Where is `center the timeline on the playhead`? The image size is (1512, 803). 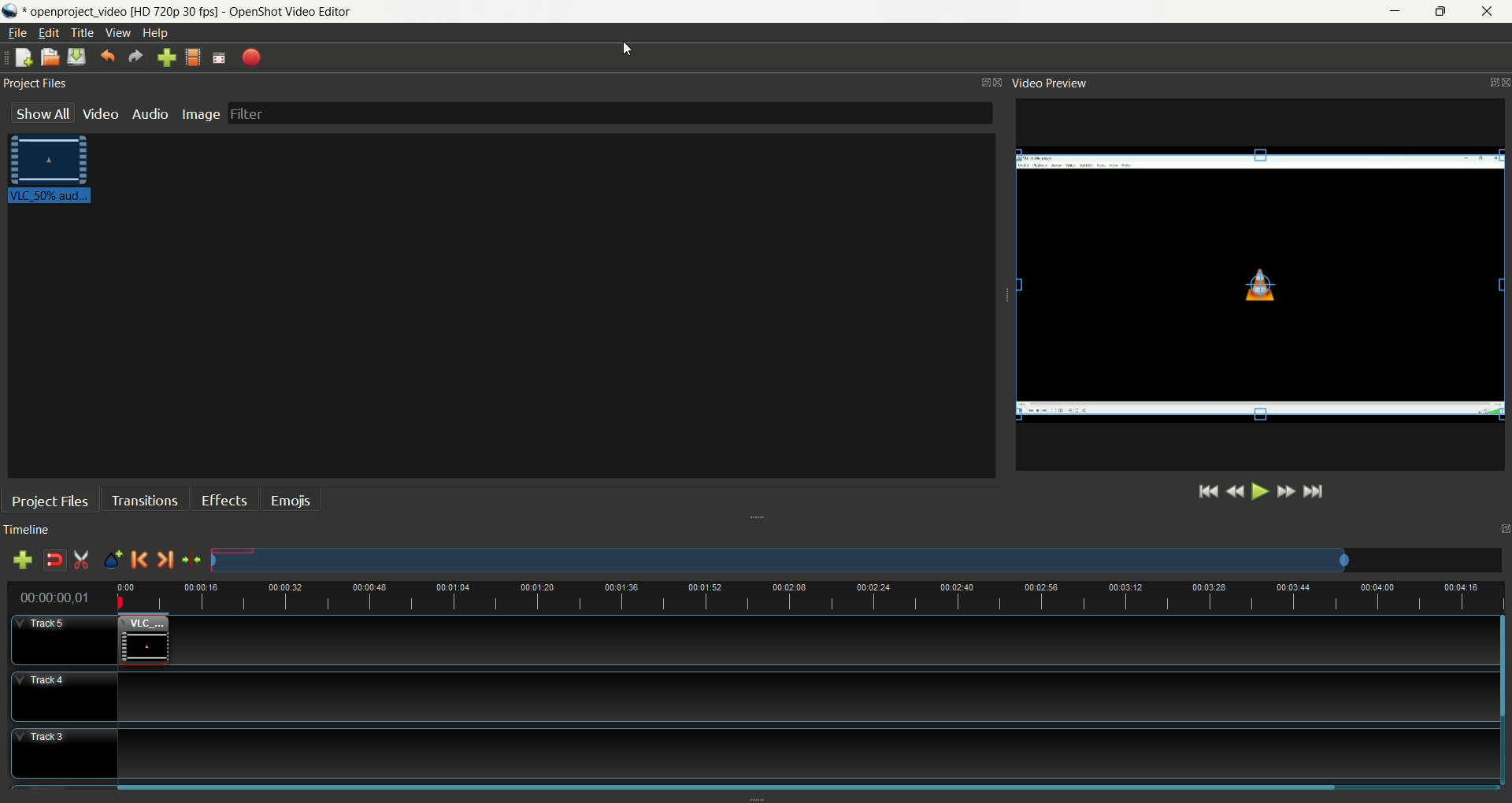 center the timeline on the playhead is located at coordinates (192, 561).